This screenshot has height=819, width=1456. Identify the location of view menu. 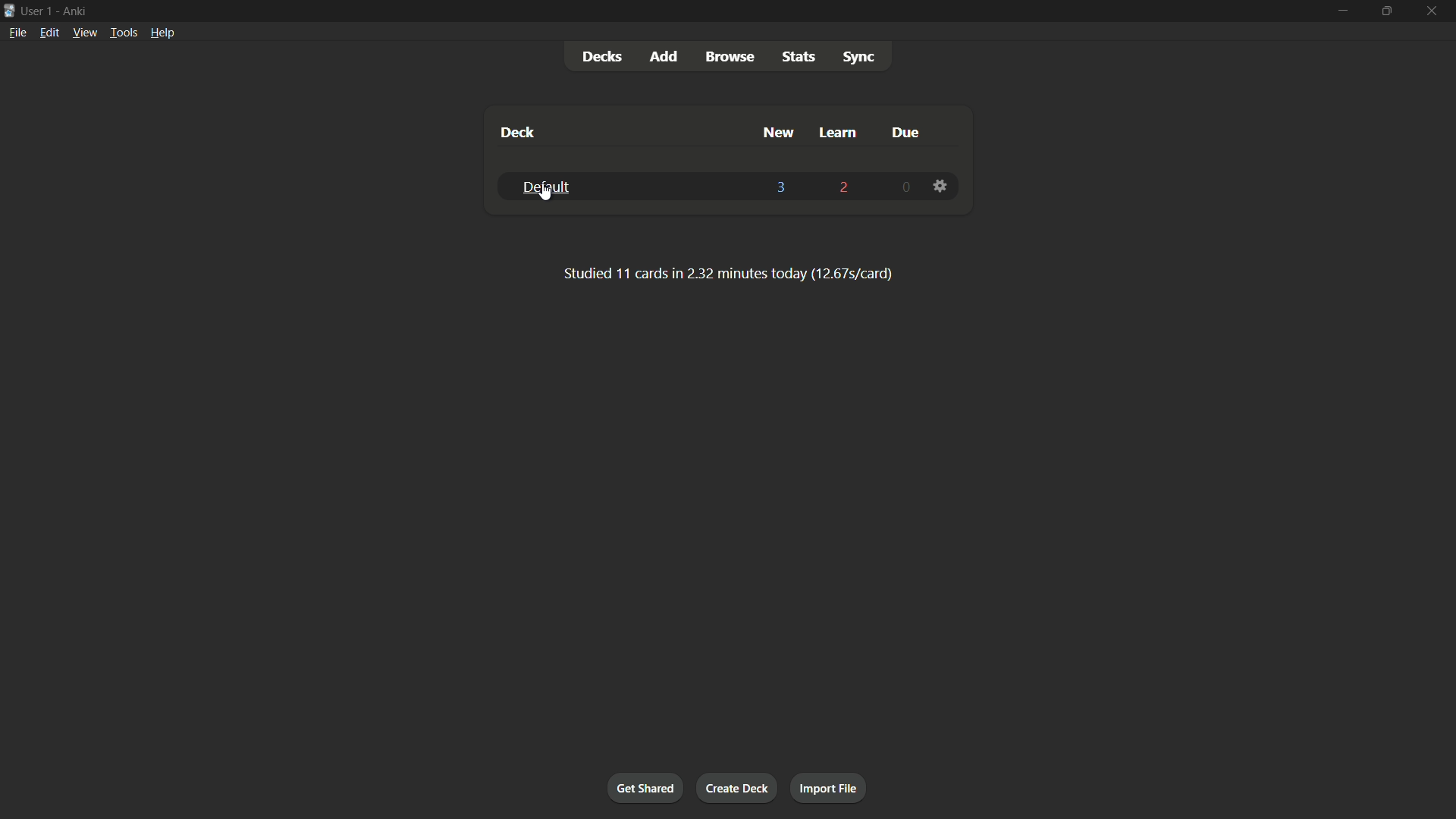
(85, 33).